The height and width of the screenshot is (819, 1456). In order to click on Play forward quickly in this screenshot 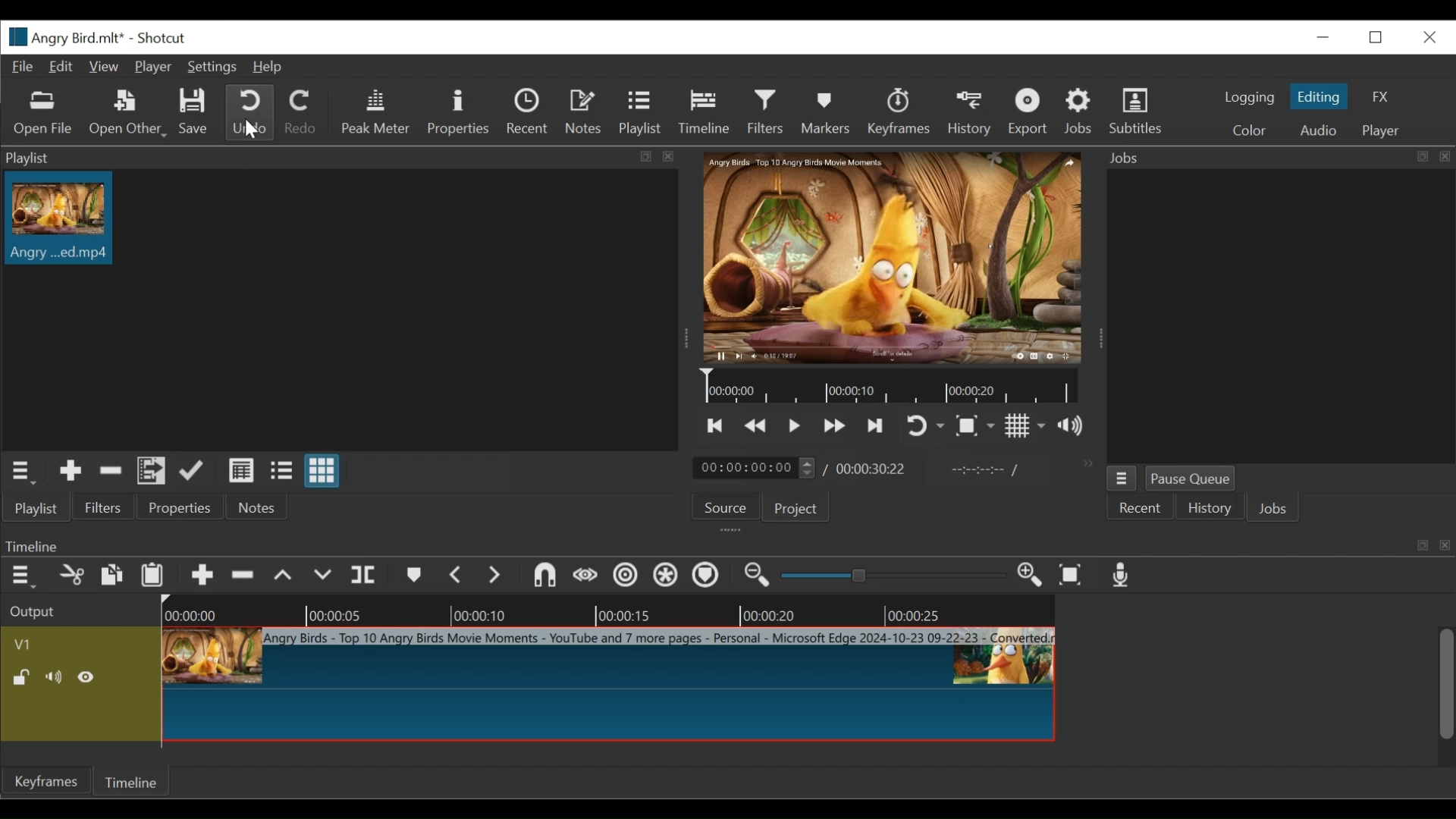, I will do `click(834, 425)`.